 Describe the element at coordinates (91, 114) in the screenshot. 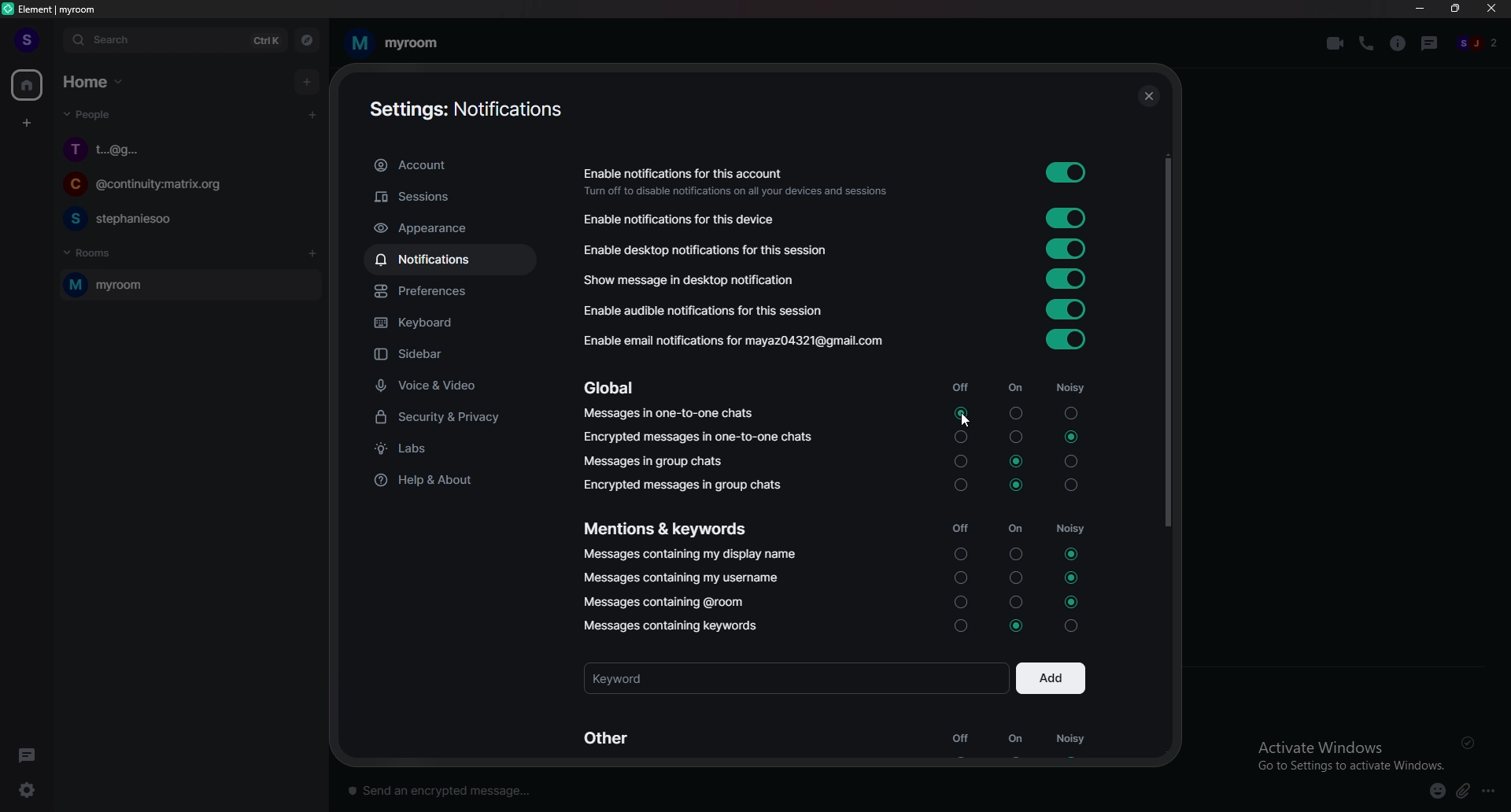

I see `people` at that location.